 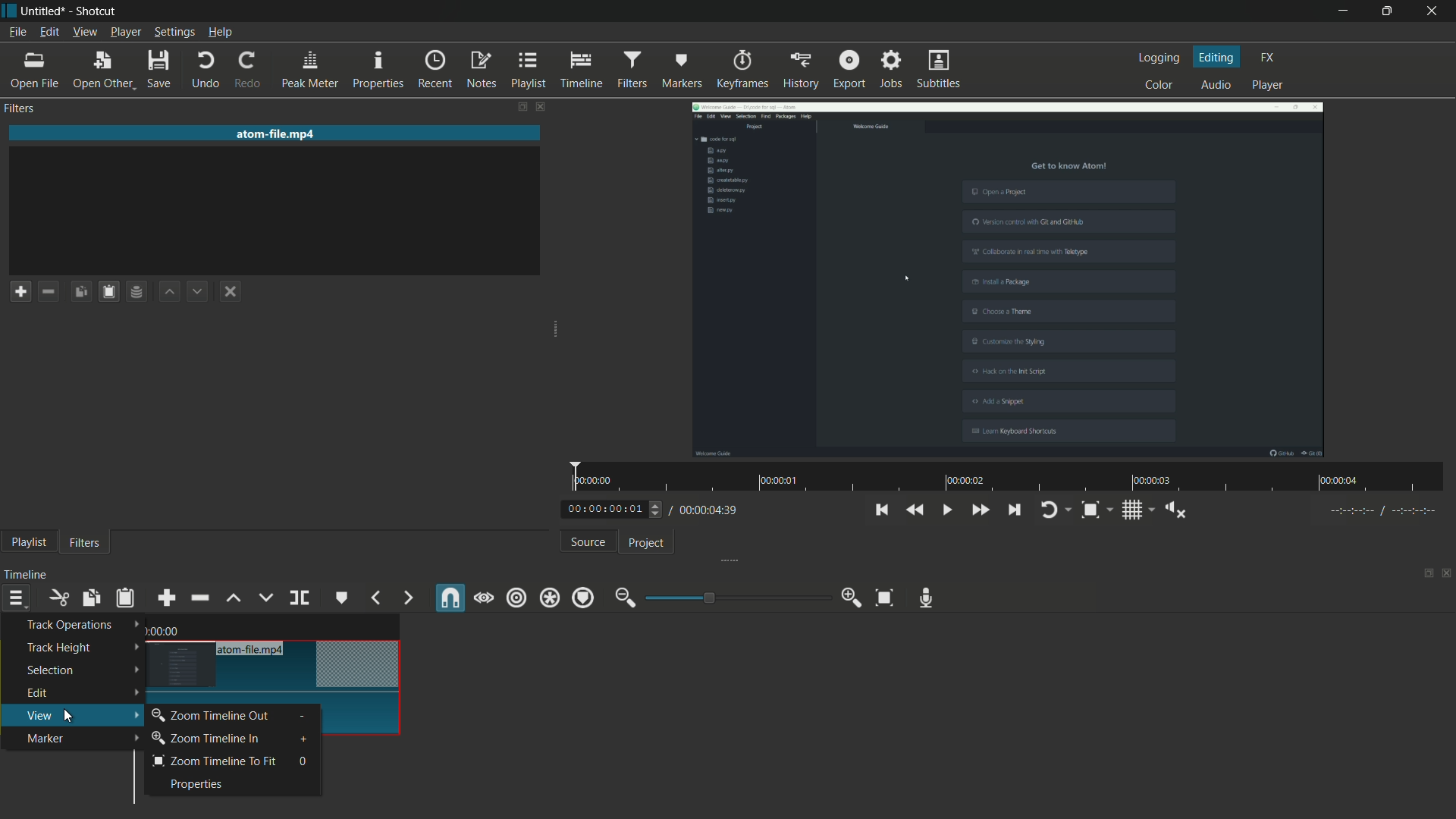 What do you see at coordinates (281, 682) in the screenshot?
I see `video in timeline` at bounding box center [281, 682].